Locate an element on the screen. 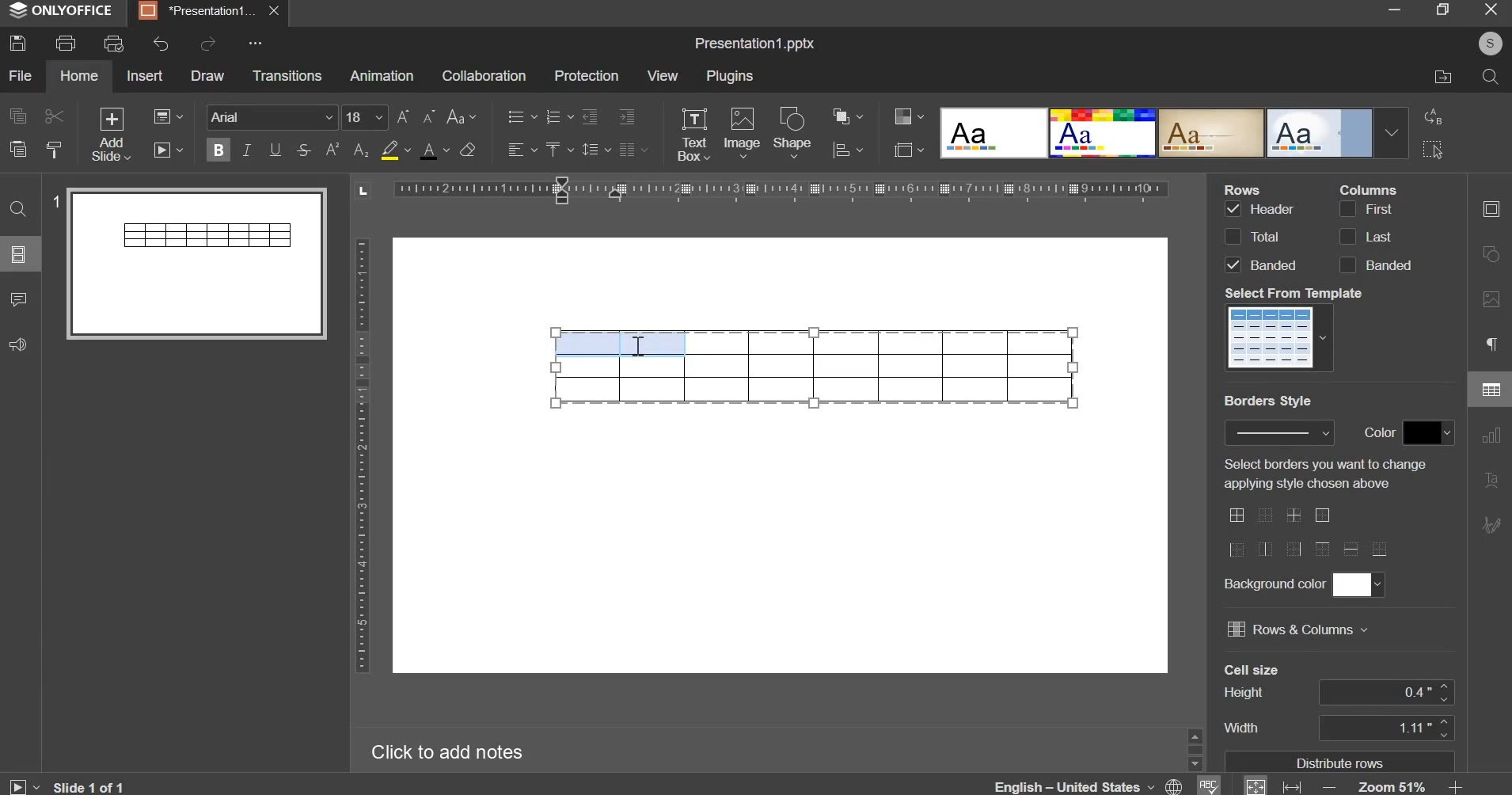  slide size is located at coordinates (908, 149).